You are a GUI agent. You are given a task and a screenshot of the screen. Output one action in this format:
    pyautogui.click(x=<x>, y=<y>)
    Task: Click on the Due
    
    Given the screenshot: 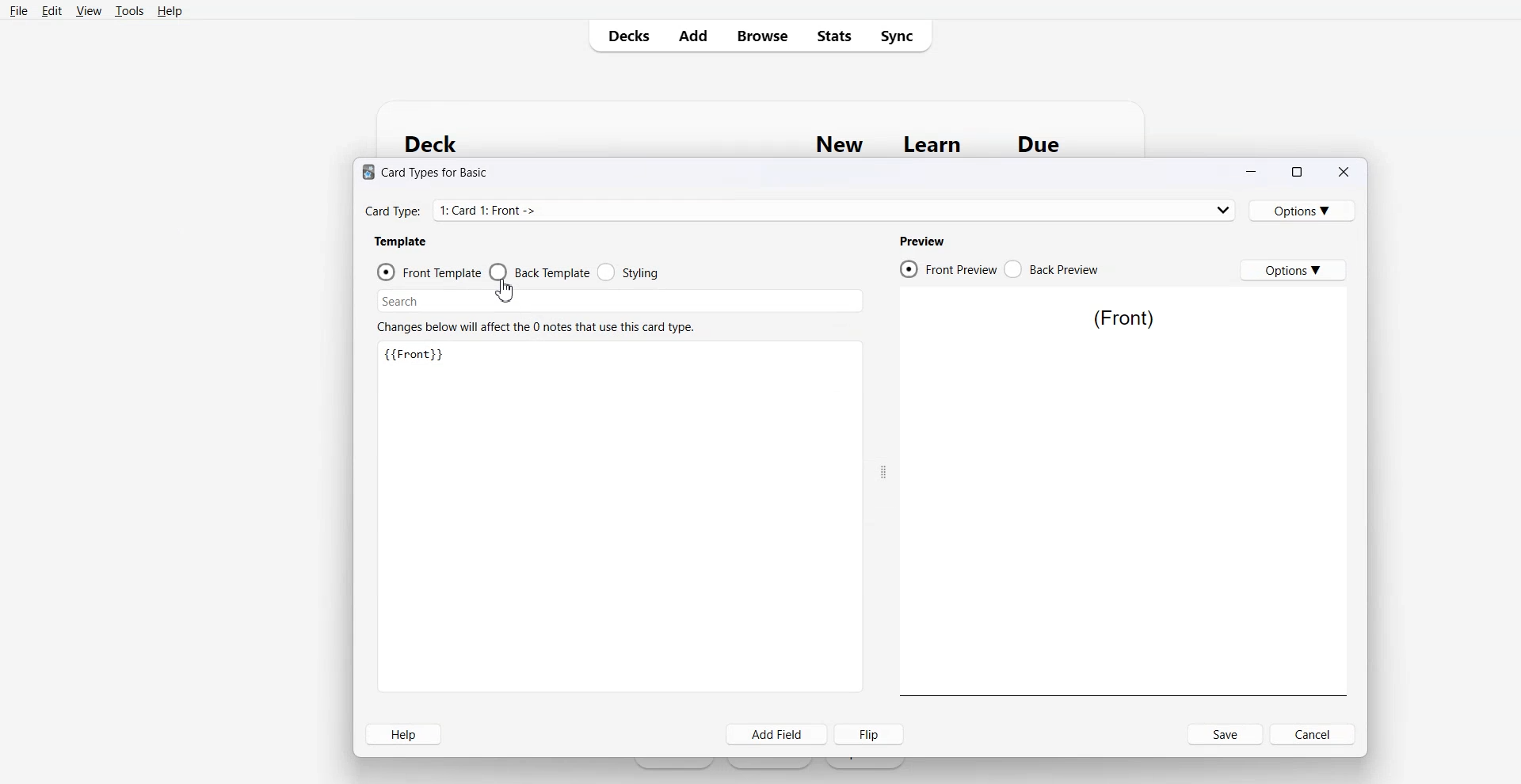 What is the action you would take?
    pyautogui.click(x=1039, y=144)
    